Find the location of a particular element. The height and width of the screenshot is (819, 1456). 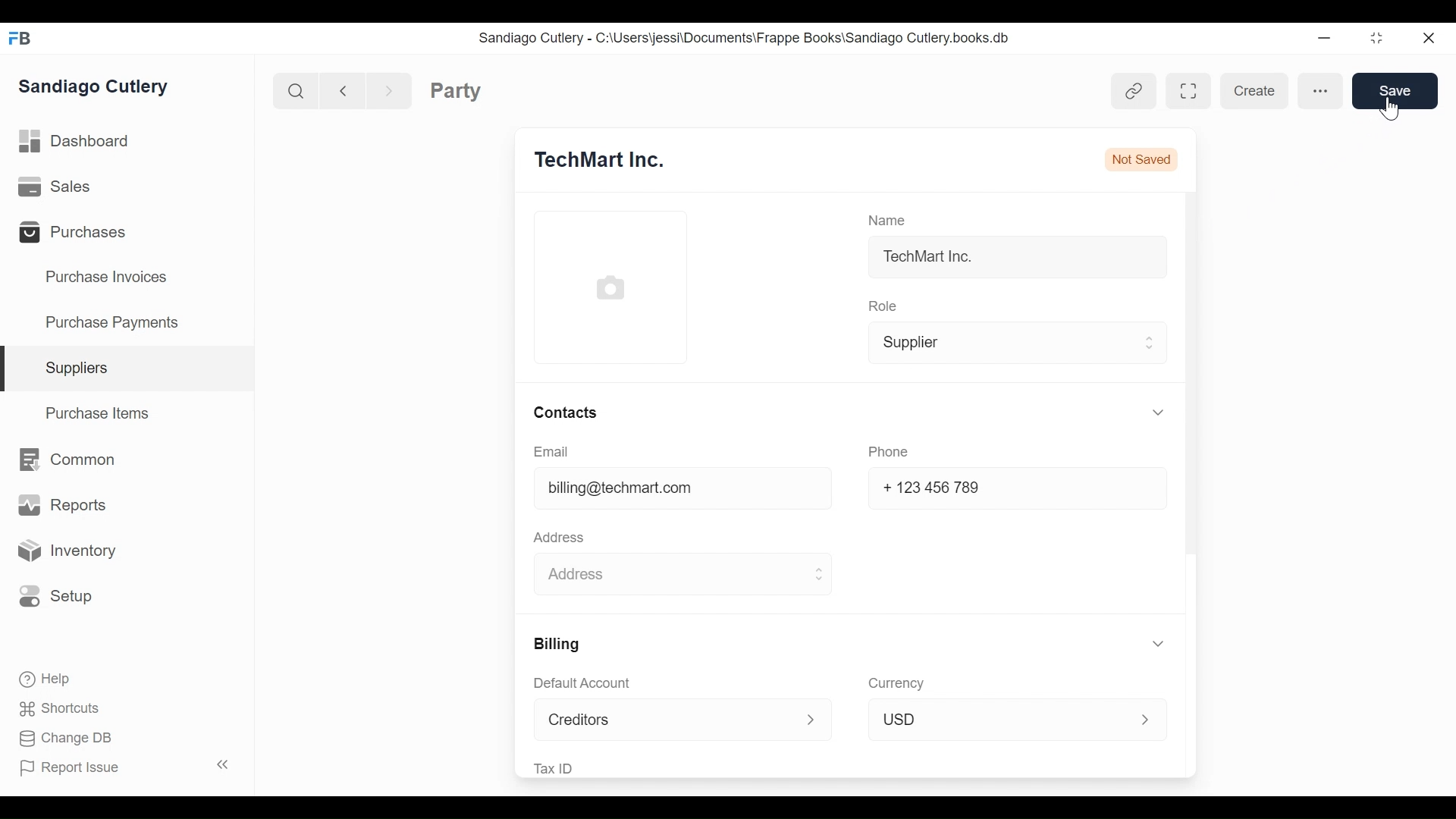

[FP Report Issue is located at coordinates (74, 772).